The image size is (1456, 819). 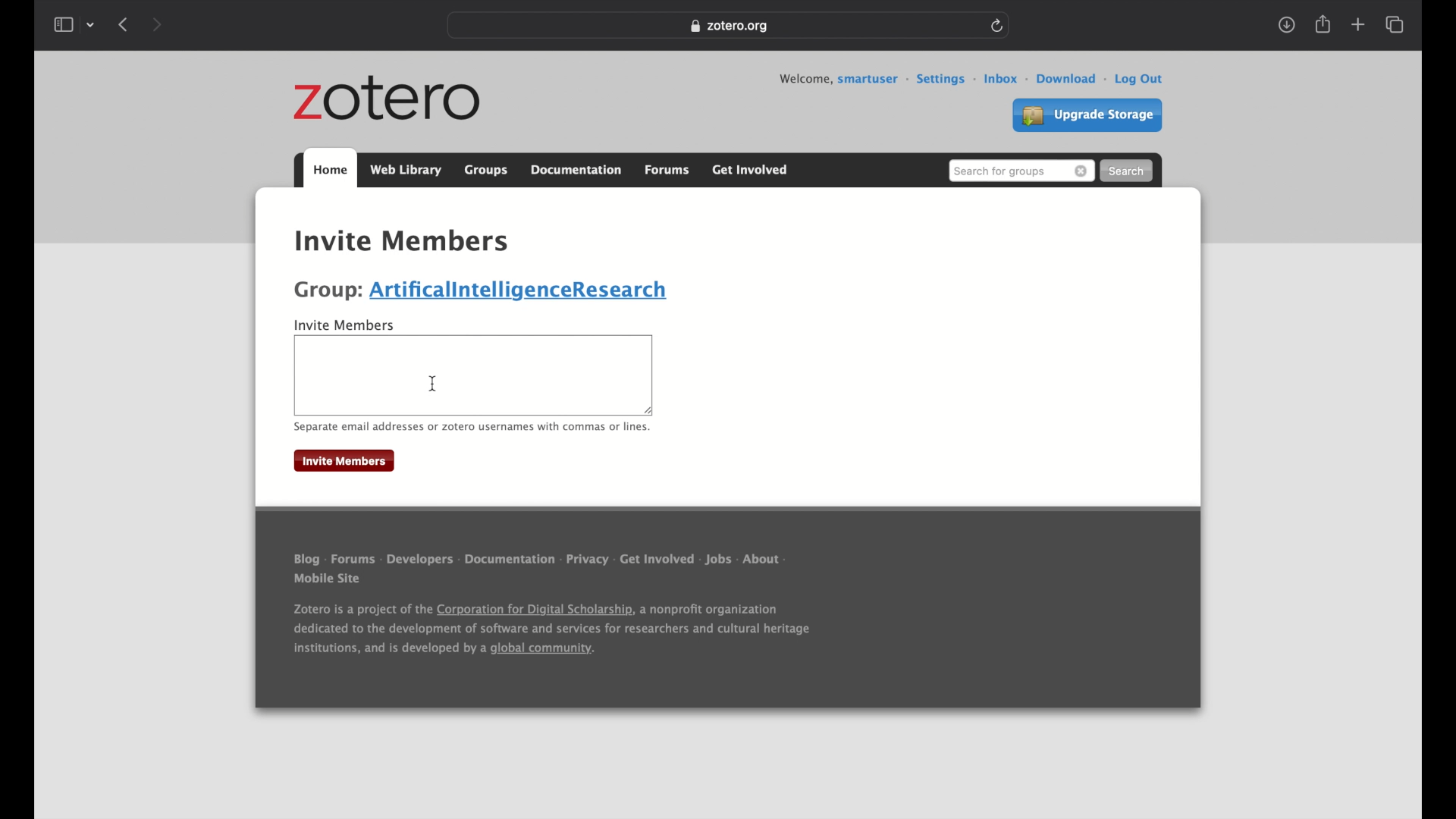 I want to click on home tab, so click(x=330, y=169).